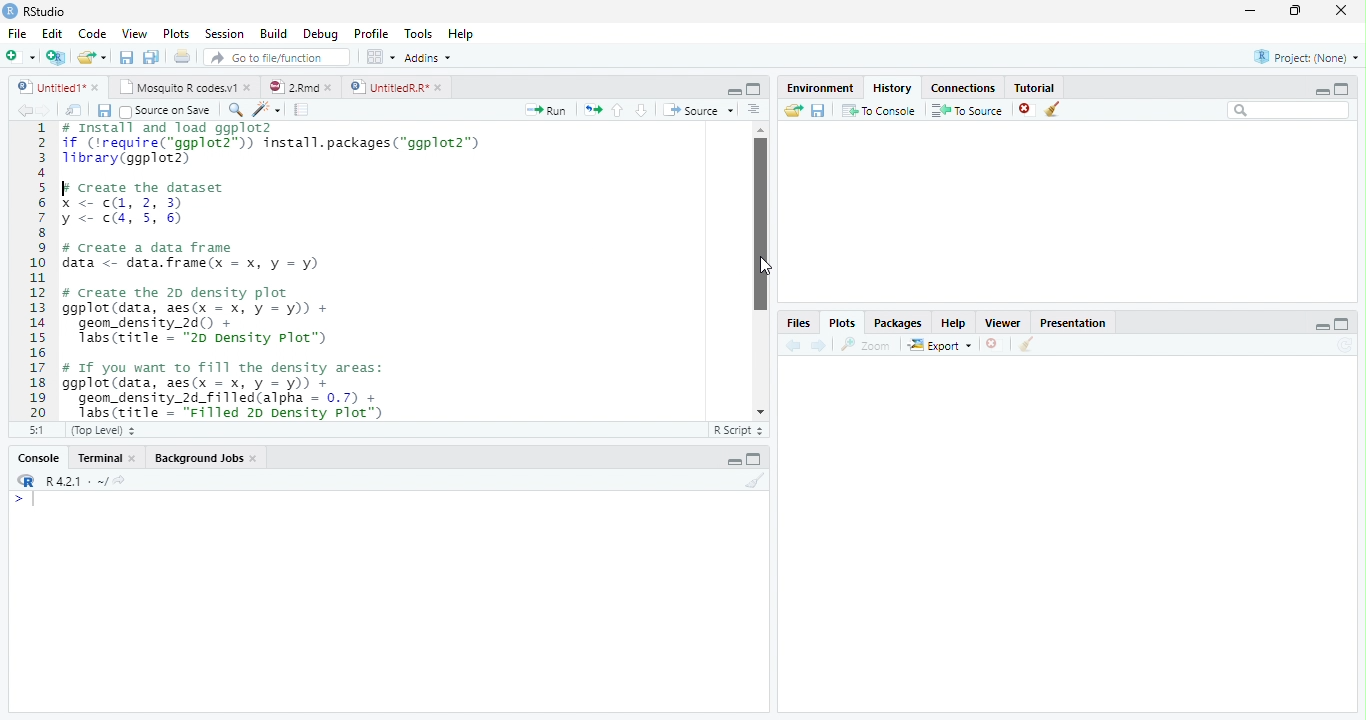 The height and width of the screenshot is (720, 1366). What do you see at coordinates (99, 458) in the screenshot?
I see `Terminal` at bounding box center [99, 458].